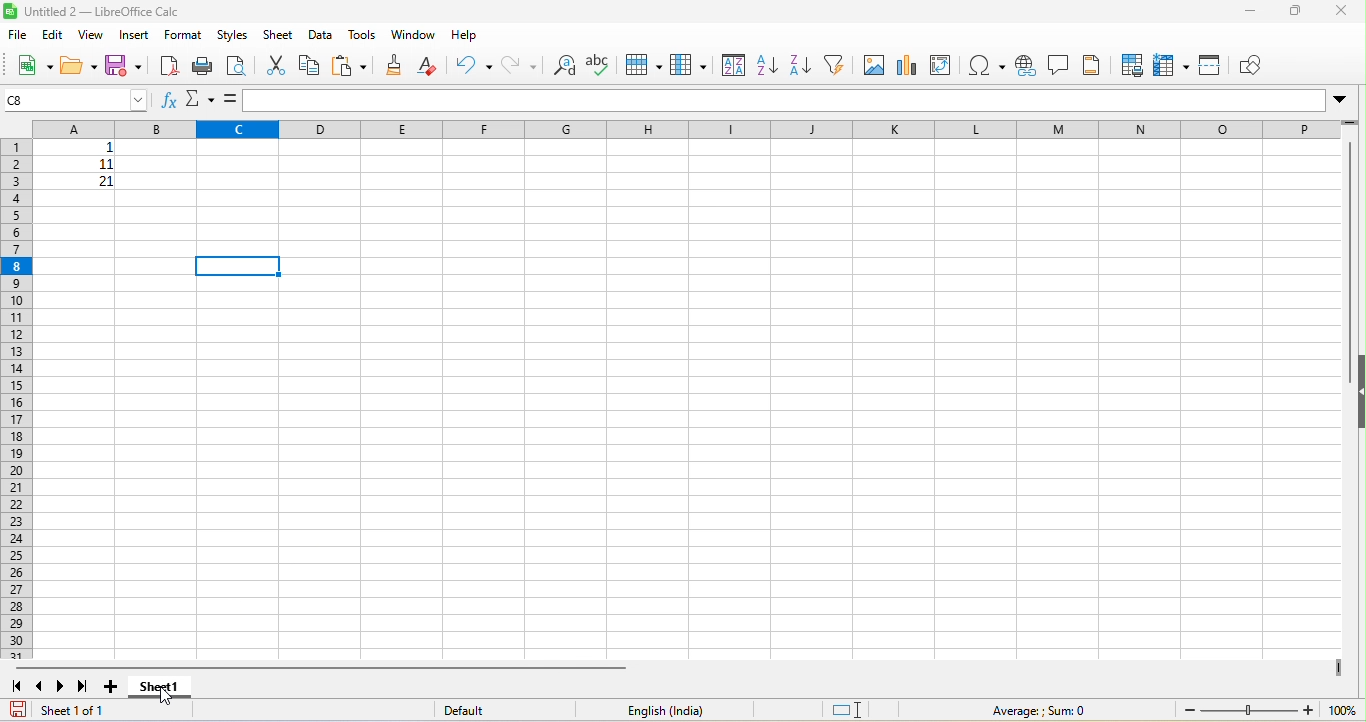  Describe the element at coordinates (1059, 64) in the screenshot. I see `comments` at that location.